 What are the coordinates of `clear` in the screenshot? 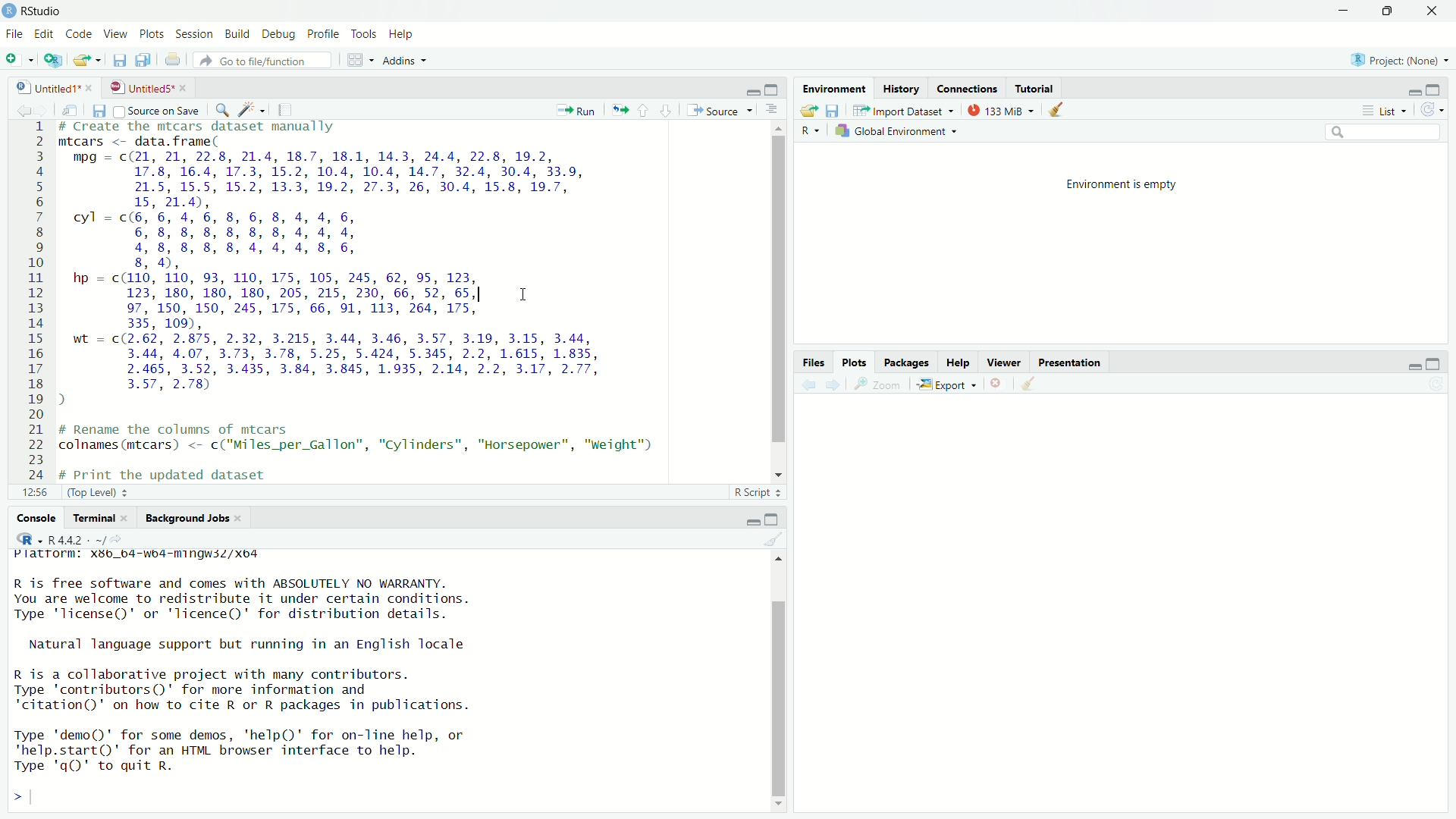 It's located at (1030, 387).